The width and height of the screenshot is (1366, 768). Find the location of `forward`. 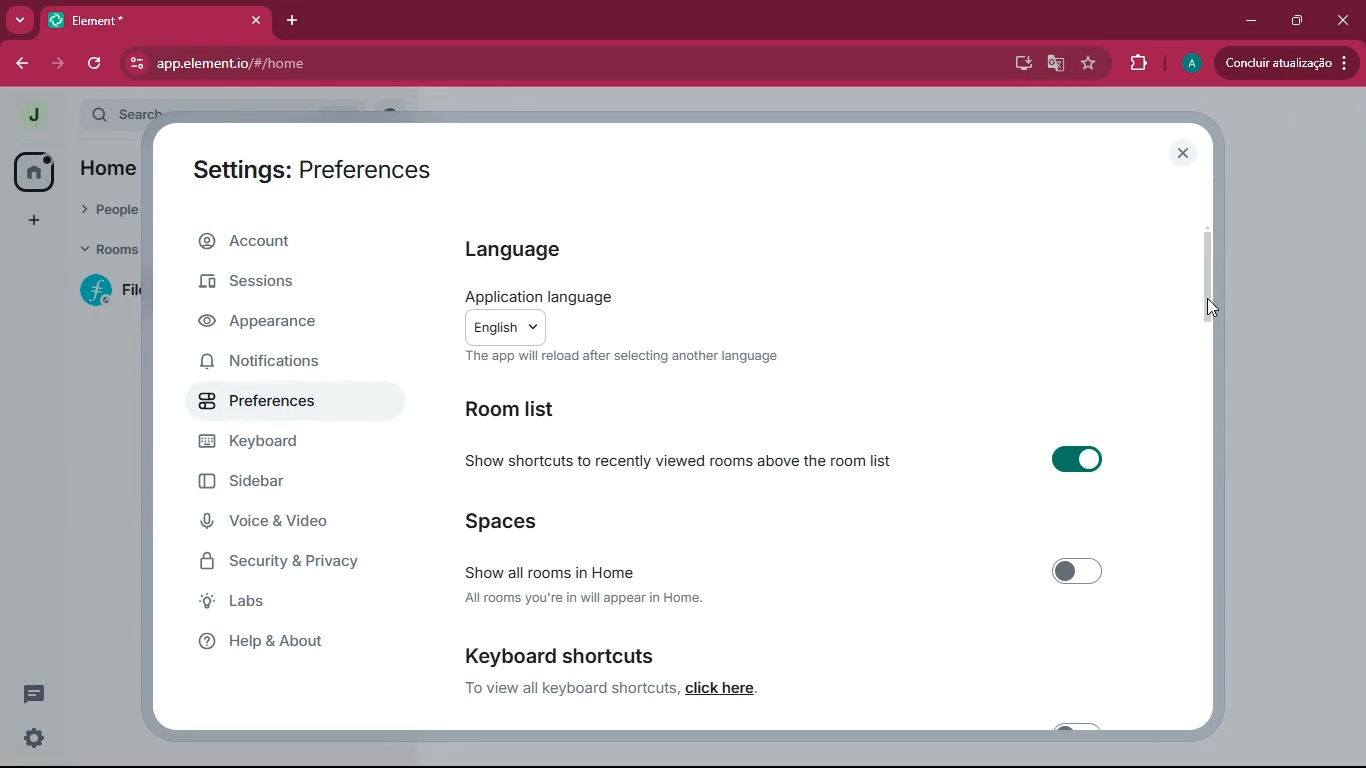

forward is located at coordinates (61, 64).